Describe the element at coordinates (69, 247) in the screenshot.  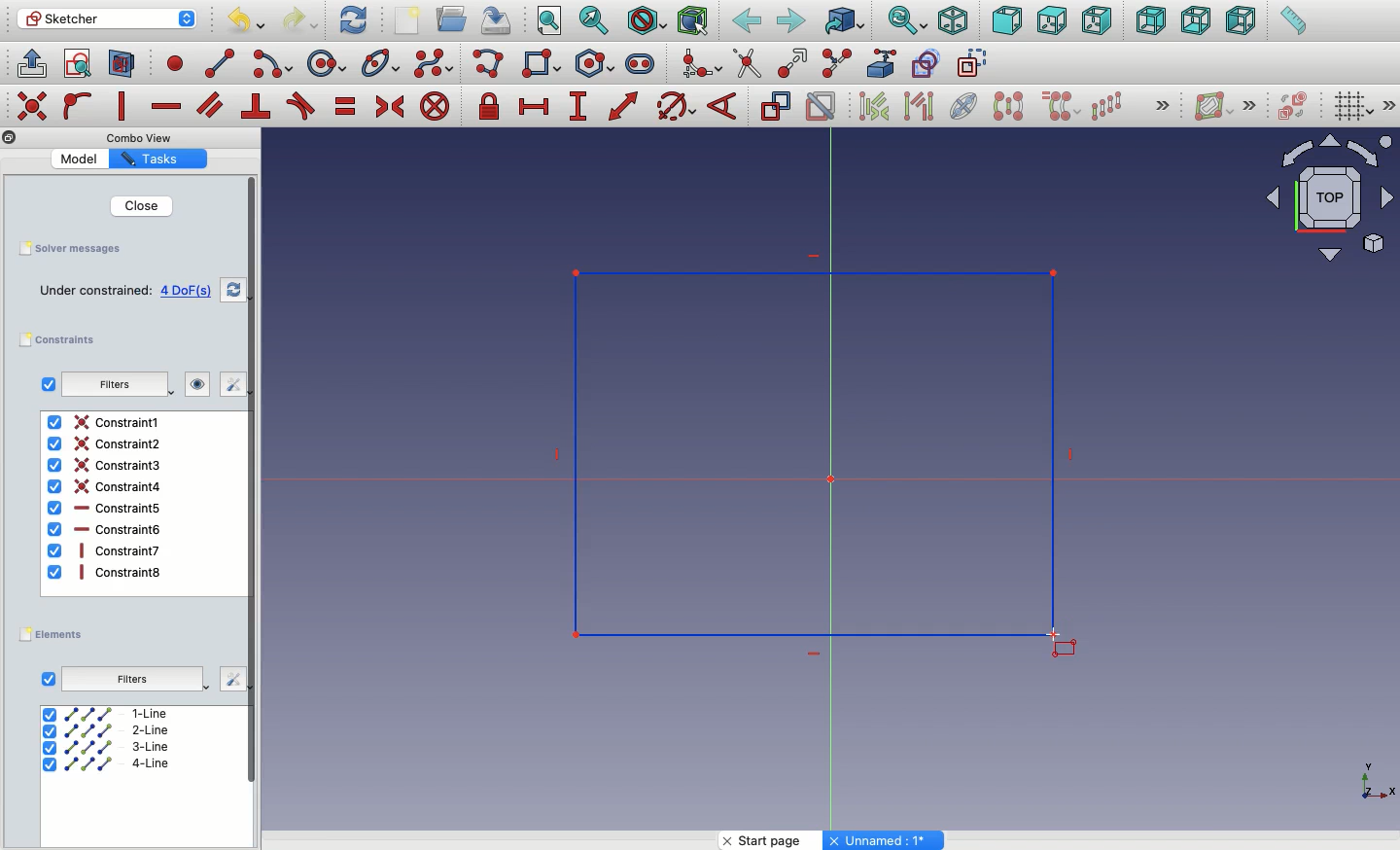
I see `Save` at that location.